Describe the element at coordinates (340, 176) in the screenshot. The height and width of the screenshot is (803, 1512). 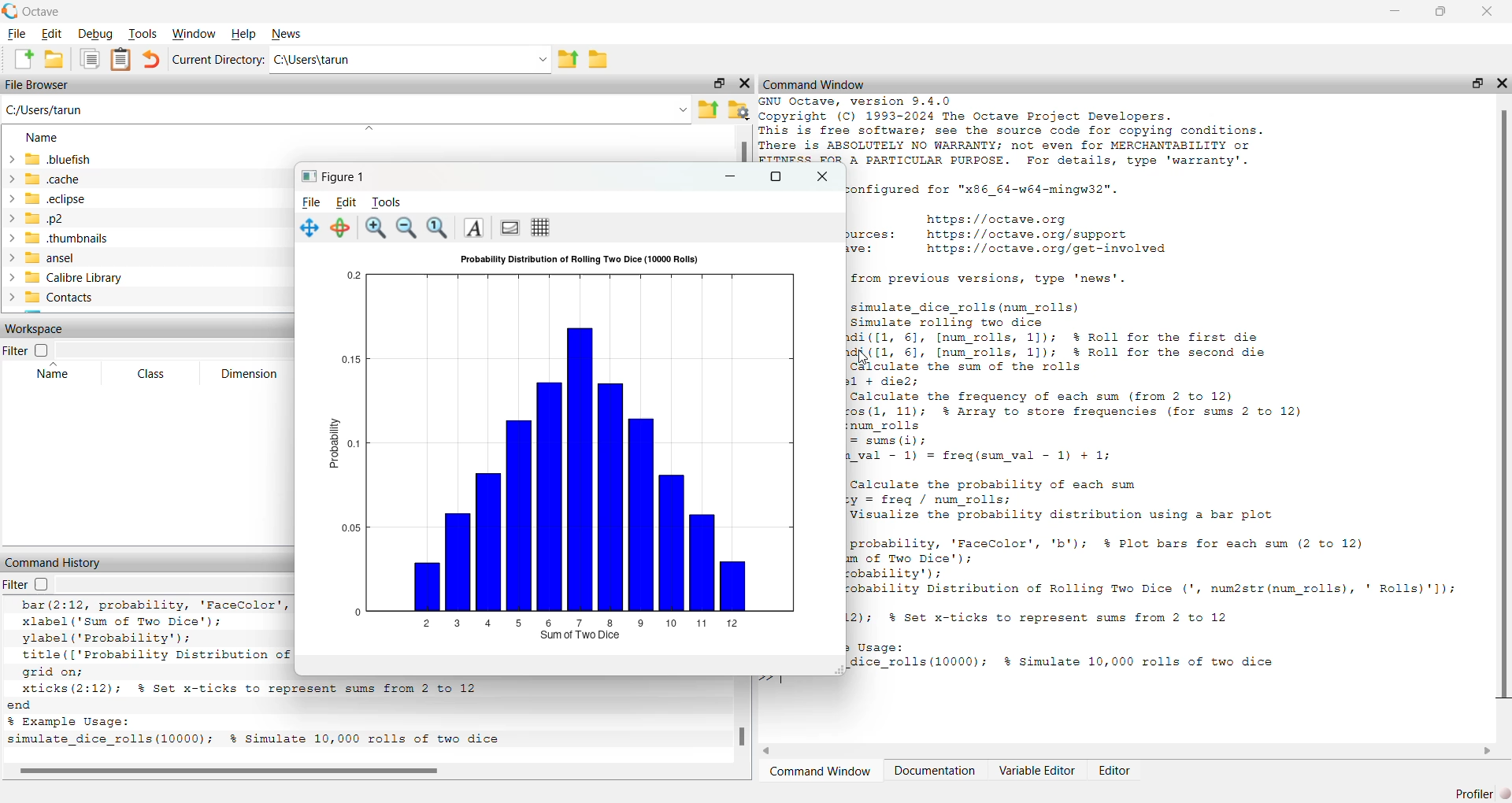
I see `Figure 1` at that location.